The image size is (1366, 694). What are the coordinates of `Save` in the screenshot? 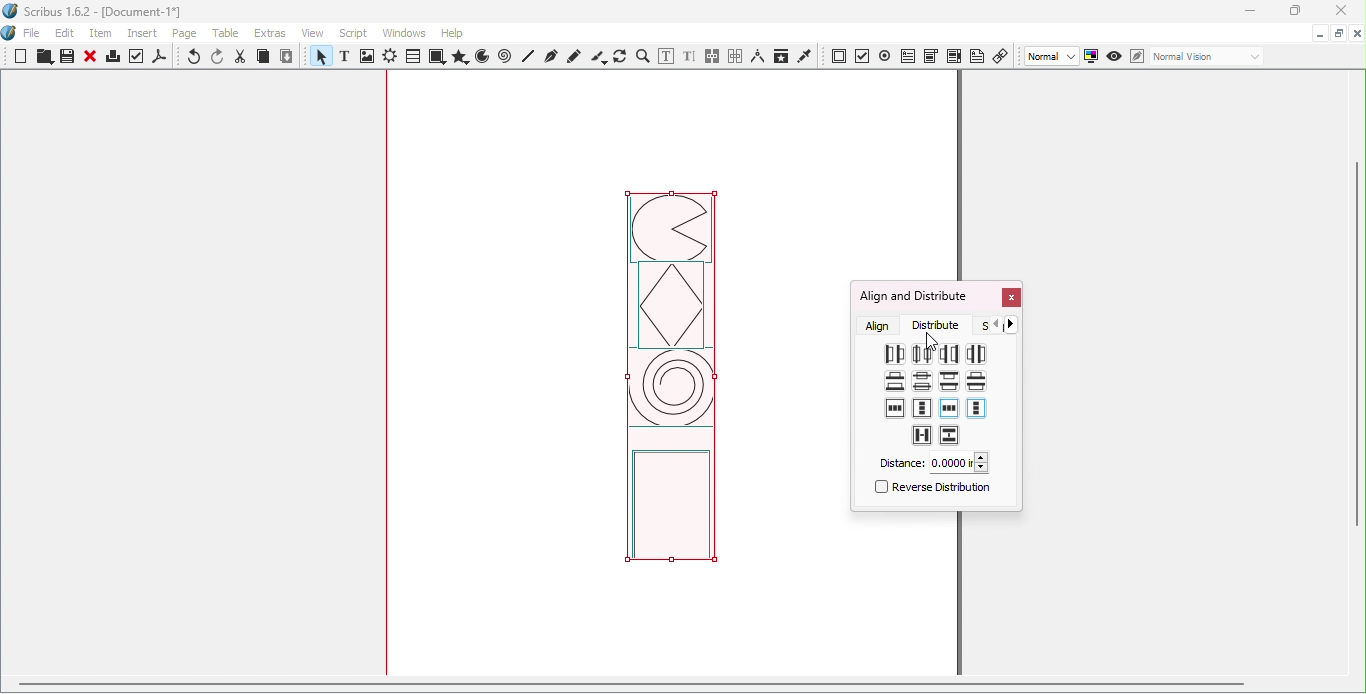 It's located at (65, 57).